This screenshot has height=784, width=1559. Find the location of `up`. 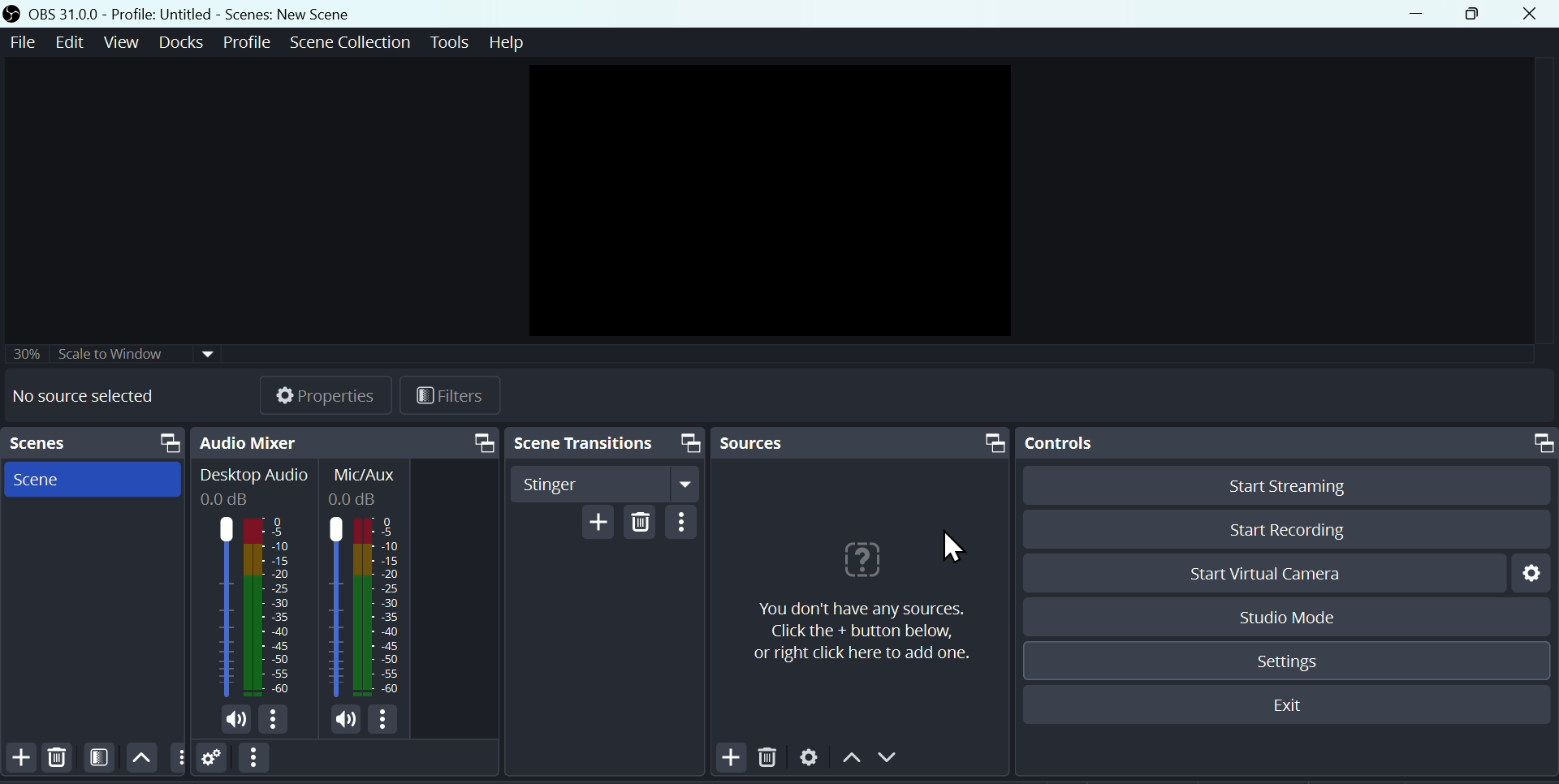

up is located at coordinates (853, 756).